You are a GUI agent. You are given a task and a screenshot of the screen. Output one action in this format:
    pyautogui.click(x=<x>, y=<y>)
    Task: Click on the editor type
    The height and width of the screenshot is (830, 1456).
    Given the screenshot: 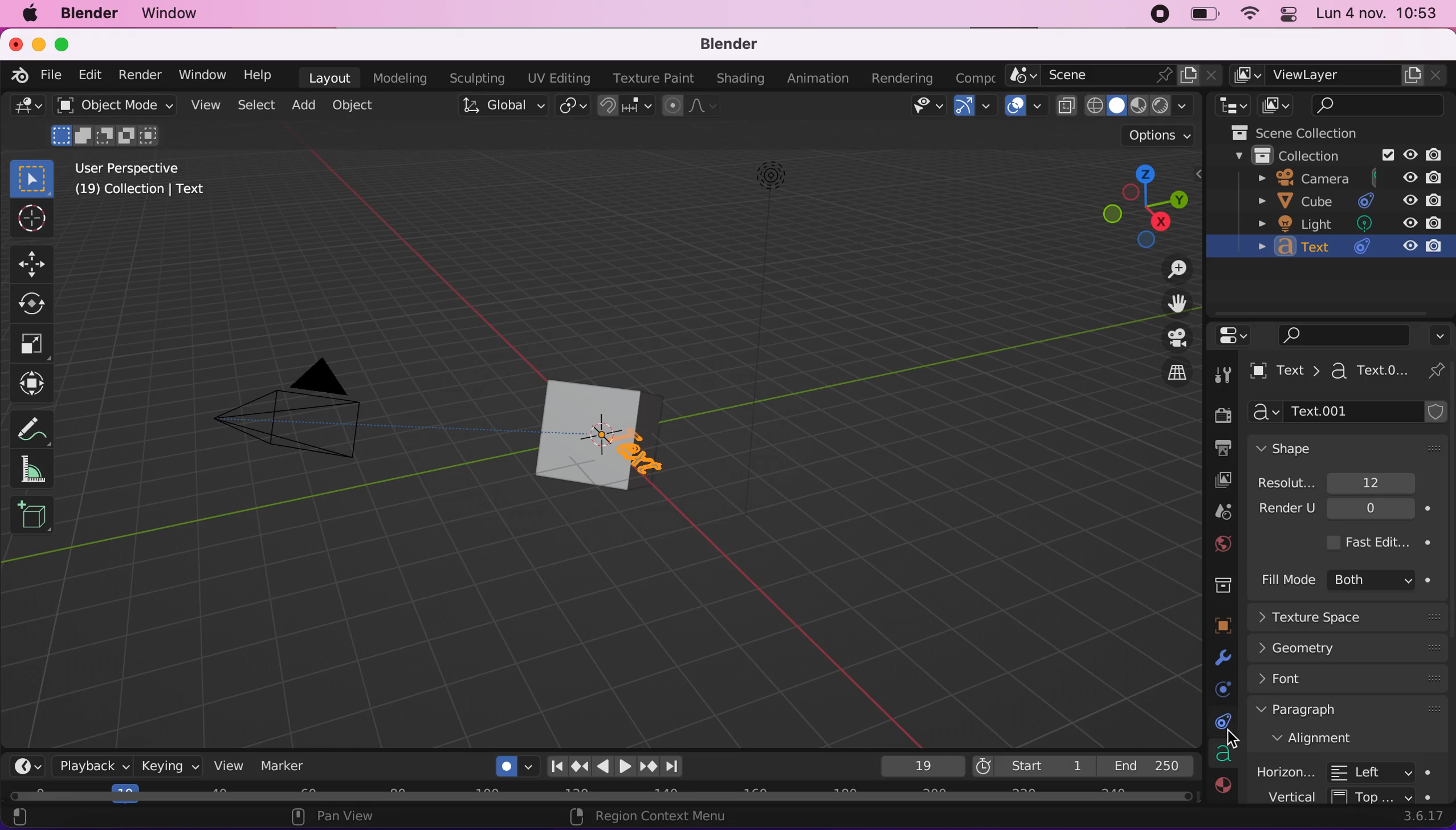 What is the action you would take?
    pyautogui.click(x=29, y=763)
    